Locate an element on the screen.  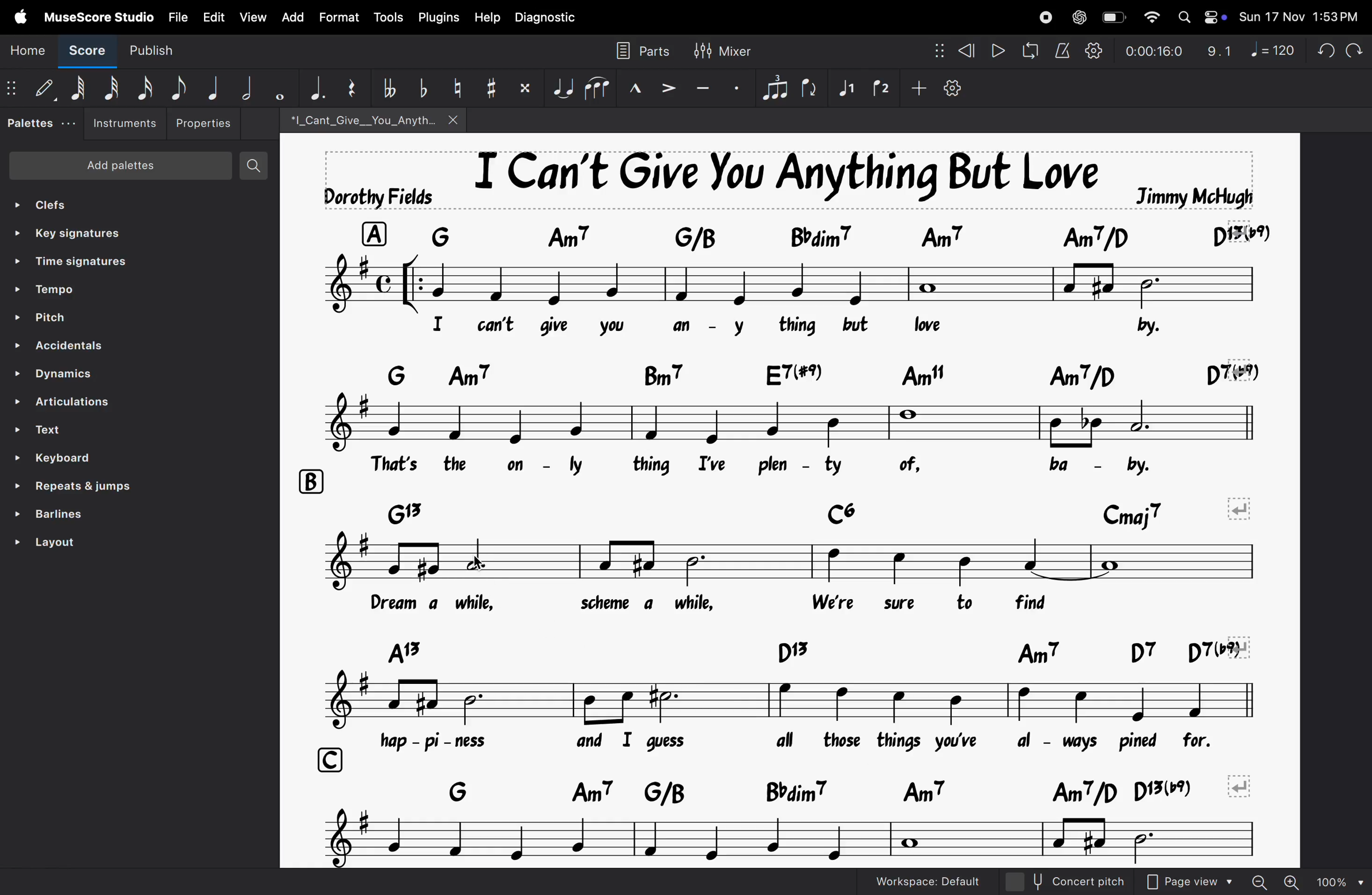
notes keys is located at coordinates (805, 789).